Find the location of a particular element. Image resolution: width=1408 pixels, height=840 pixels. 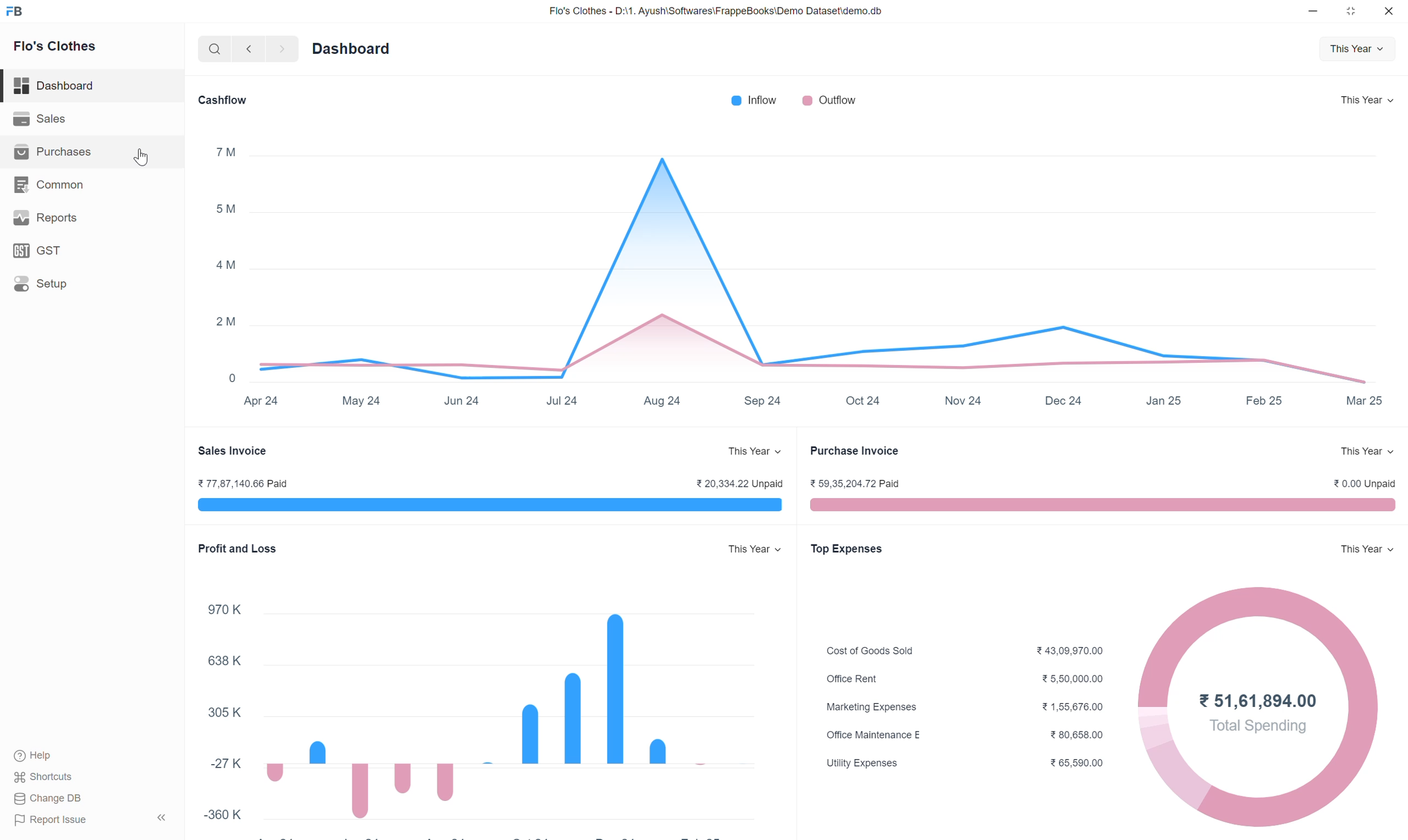

This Year is located at coordinates (1368, 550).